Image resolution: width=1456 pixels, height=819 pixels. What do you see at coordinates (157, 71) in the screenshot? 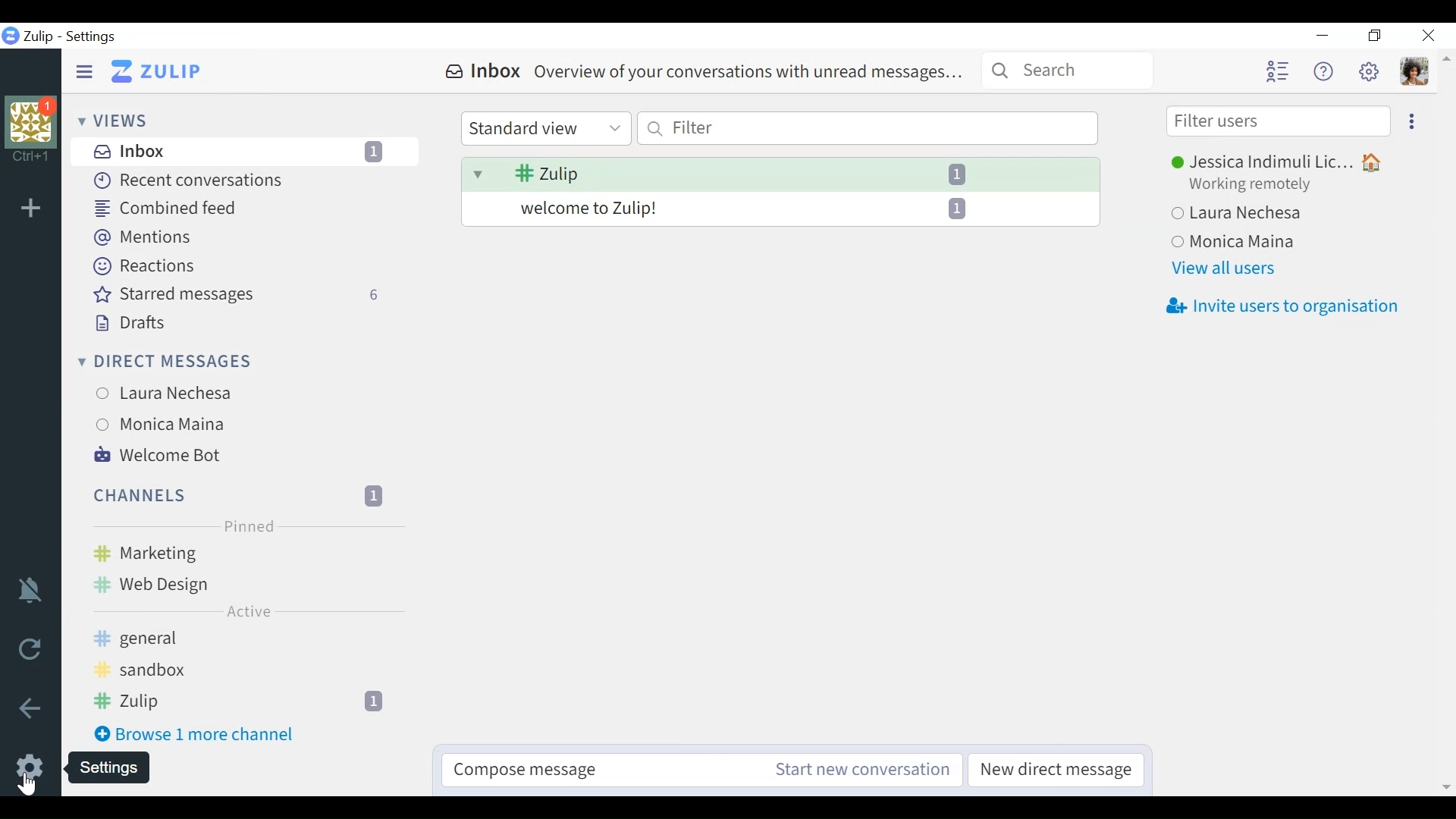
I see `Go to Home View (inbox)` at bounding box center [157, 71].